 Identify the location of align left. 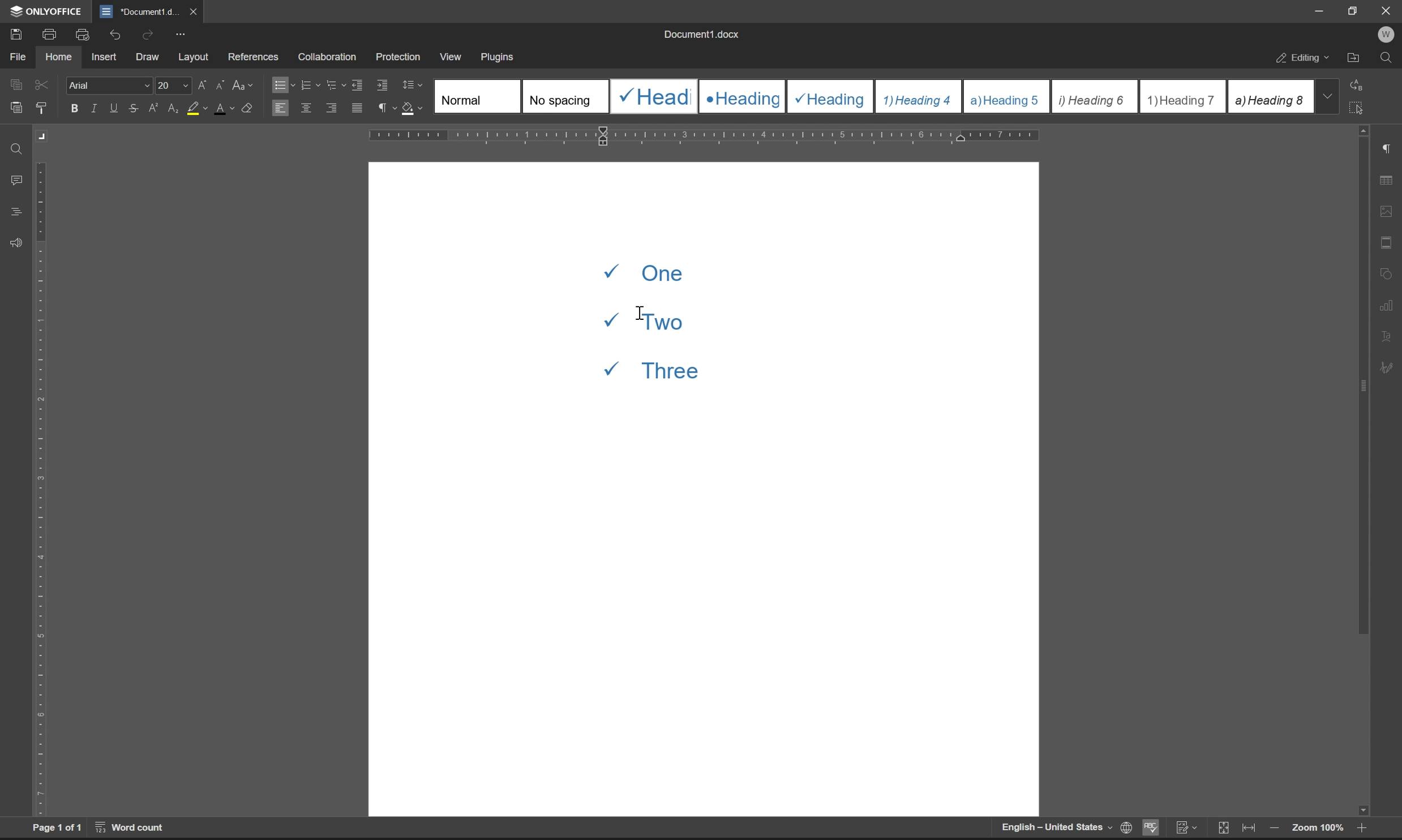
(280, 107).